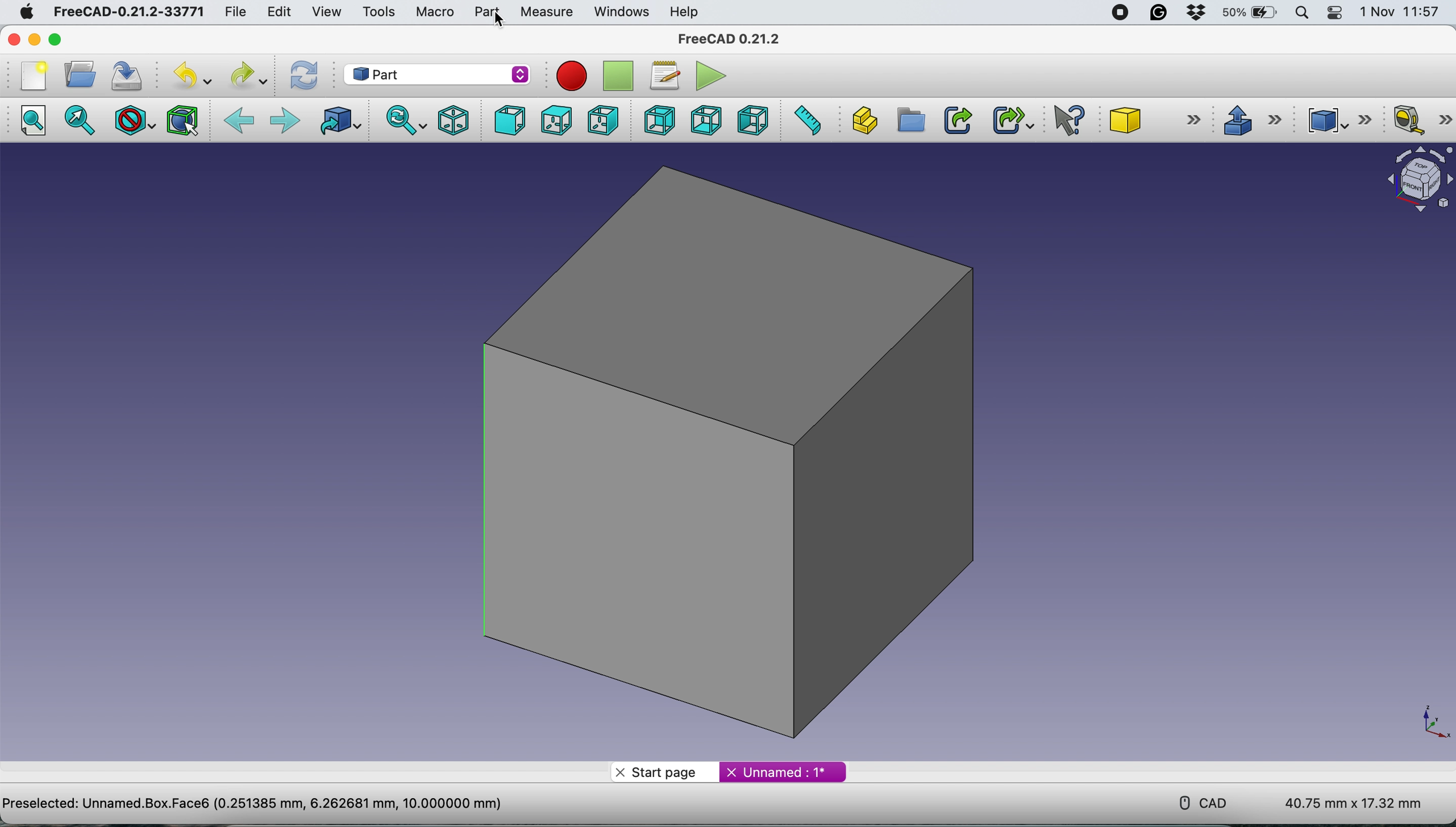  What do you see at coordinates (781, 773) in the screenshot?
I see `unnamed` at bounding box center [781, 773].